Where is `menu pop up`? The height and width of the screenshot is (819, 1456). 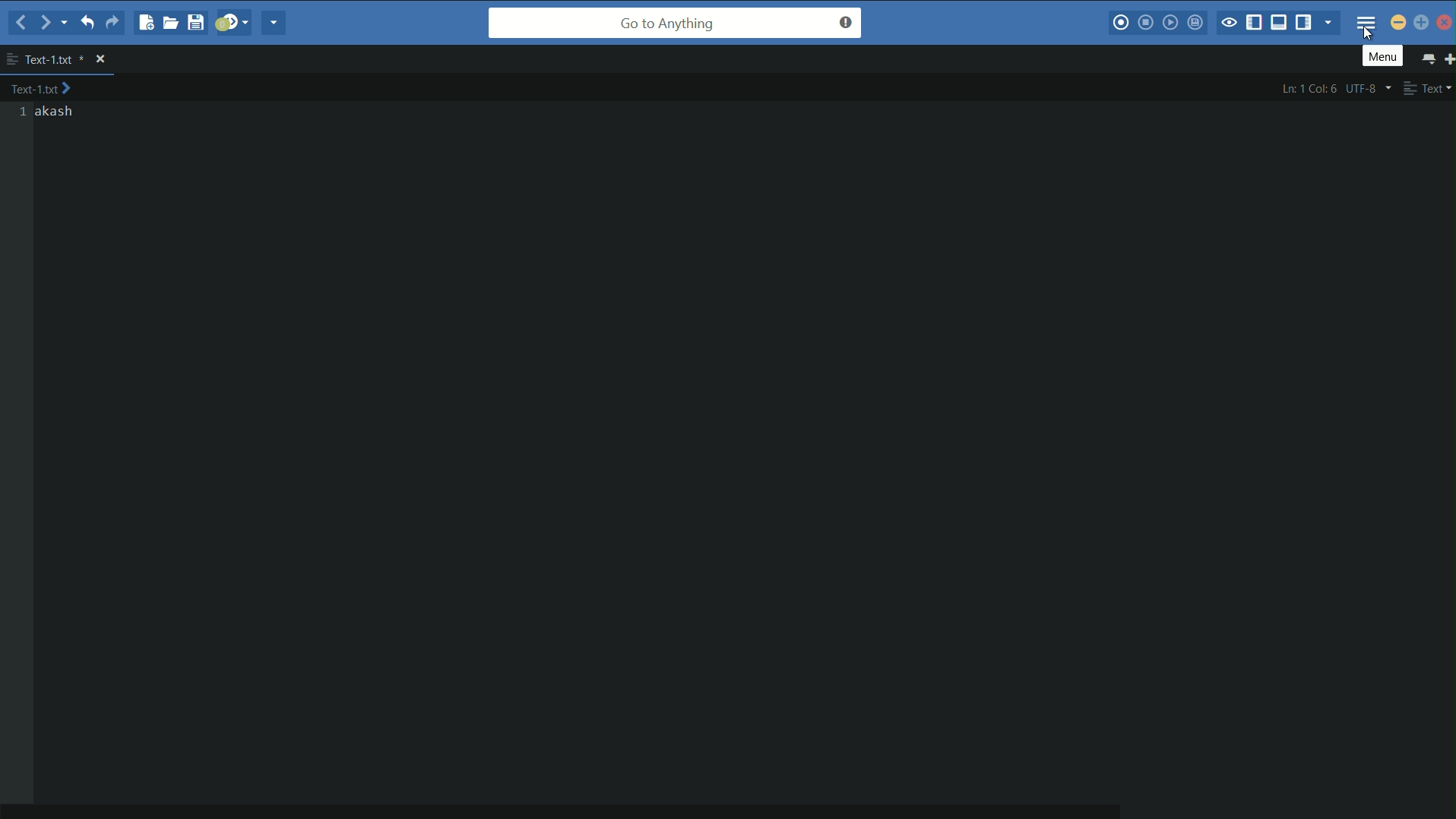
menu pop up is located at coordinates (1383, 55).